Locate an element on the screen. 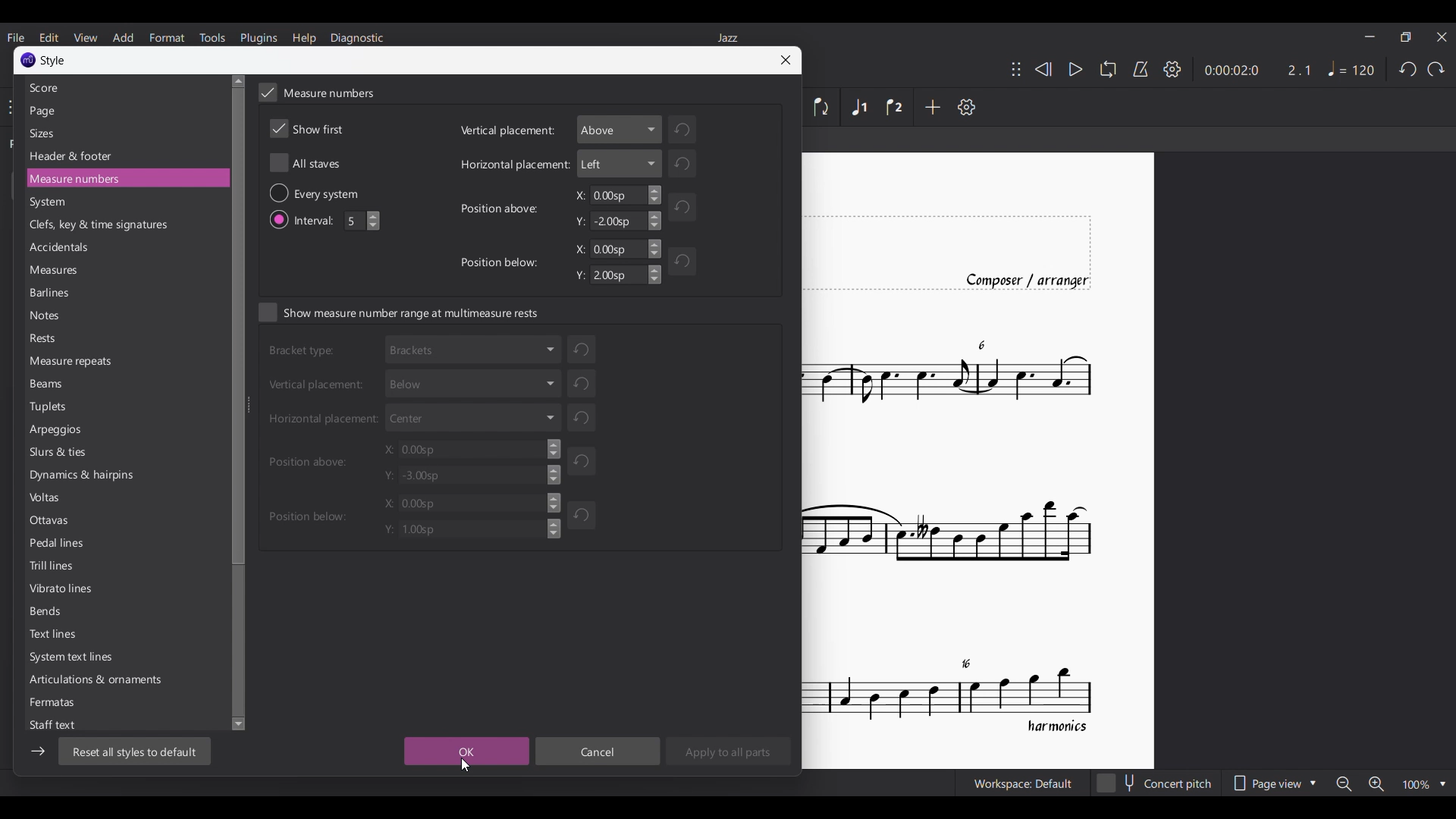 This screenshot has height=819, width=1456. Undo is located at coordinates (1407, 69).